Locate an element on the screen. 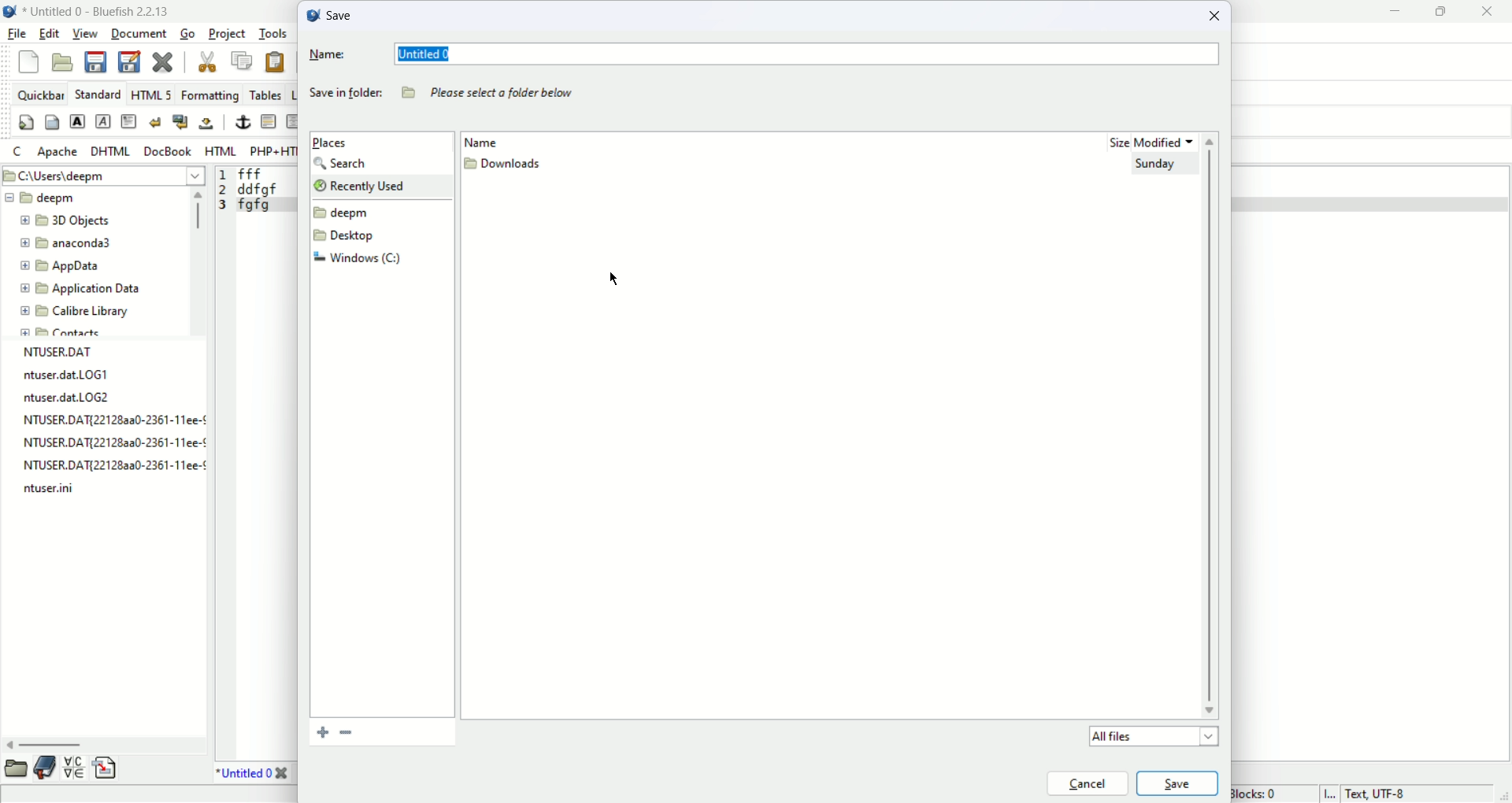  close current file is located at coordinates (165, 61).